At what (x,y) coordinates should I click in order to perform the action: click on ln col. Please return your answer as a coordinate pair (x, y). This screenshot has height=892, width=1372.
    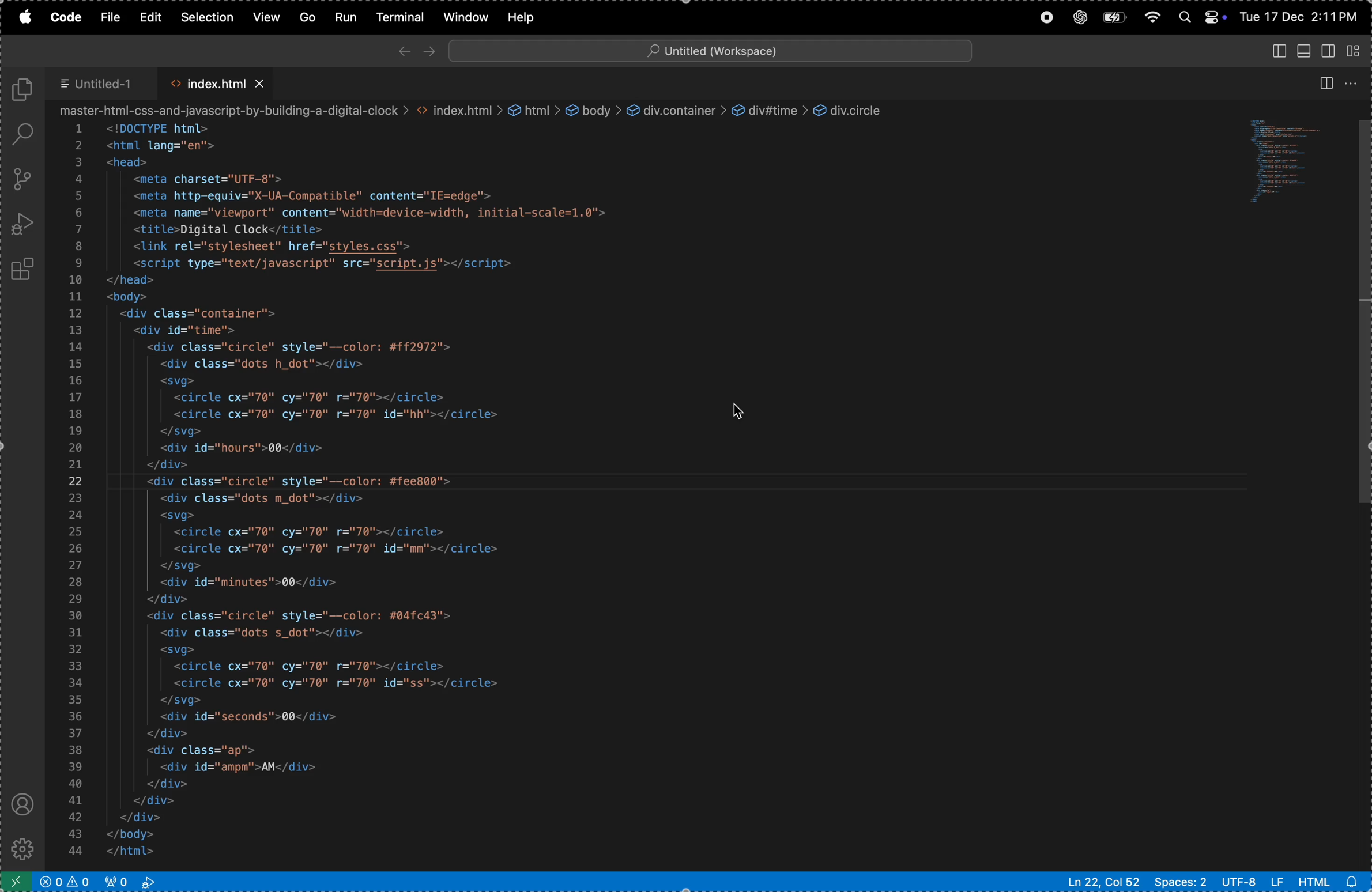
    Looking at the image, I should click on (1104, 882).